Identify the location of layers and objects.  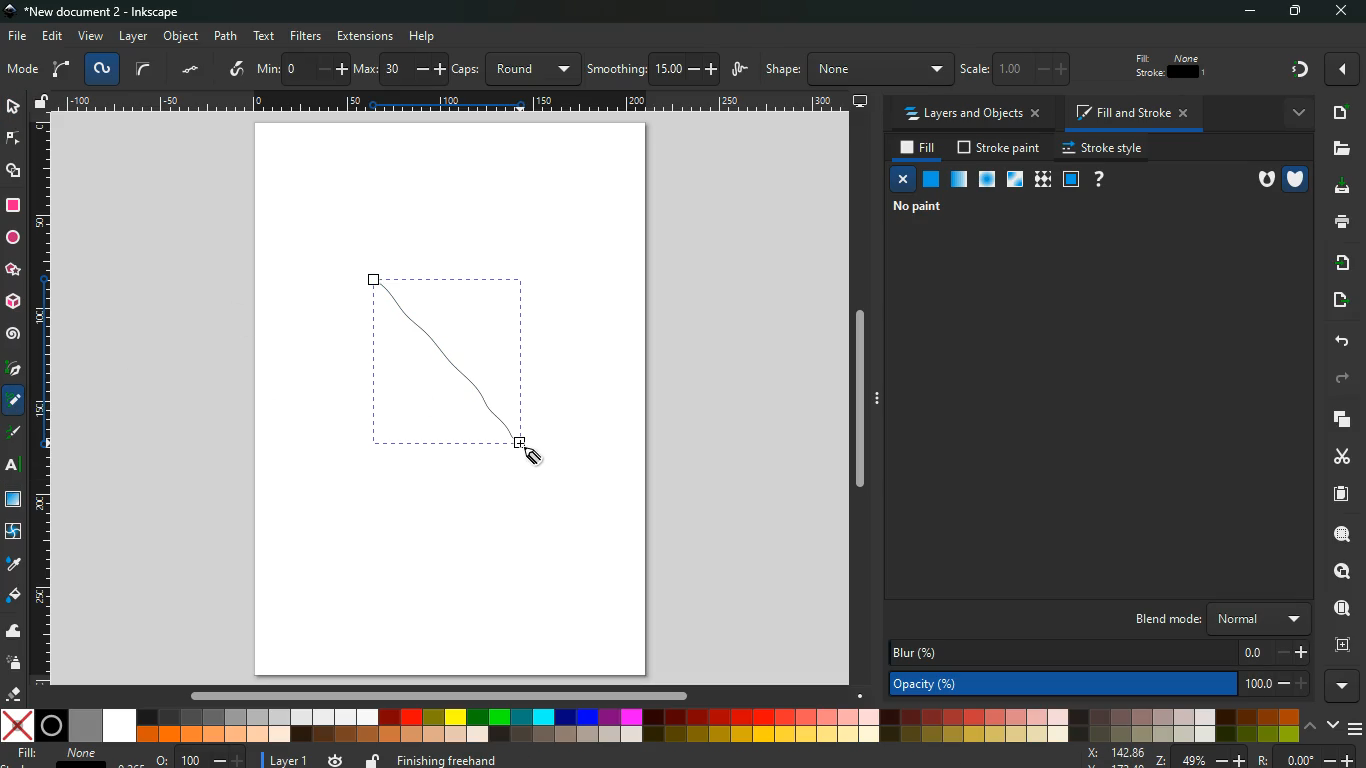
(972, 114).